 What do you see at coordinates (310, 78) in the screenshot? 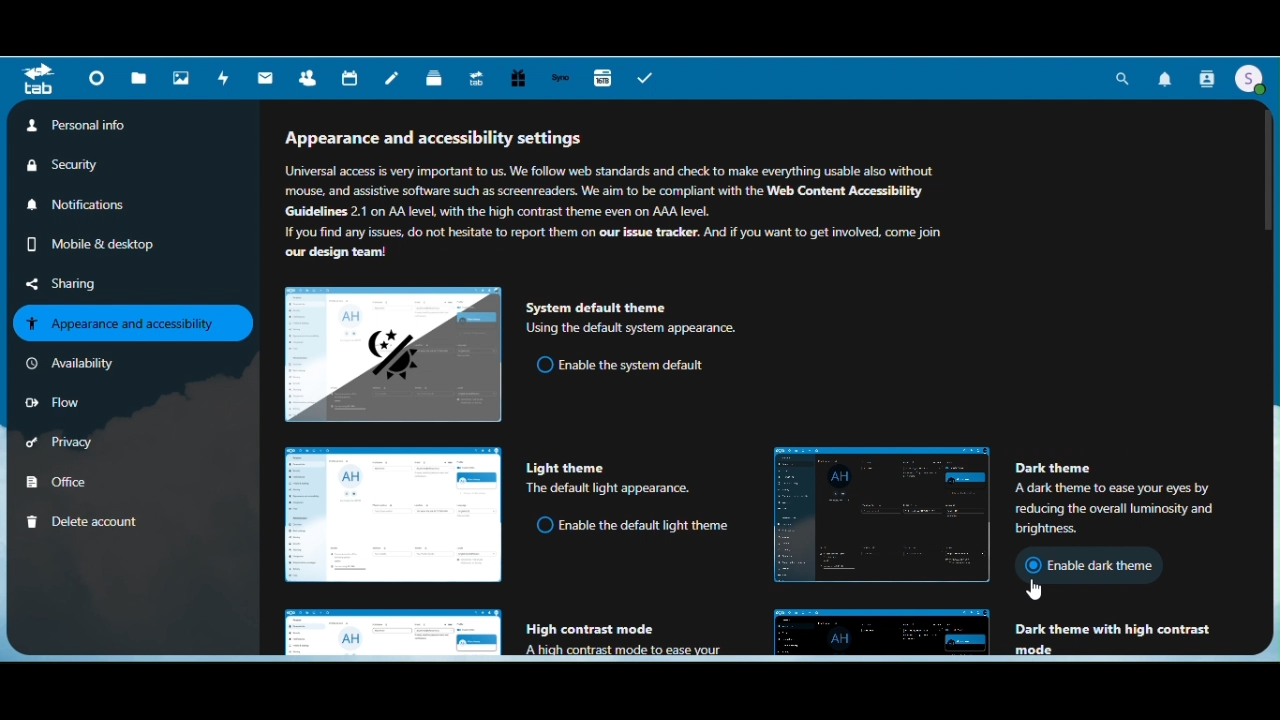
I see `Contacts` at bounding box center [310, 78].